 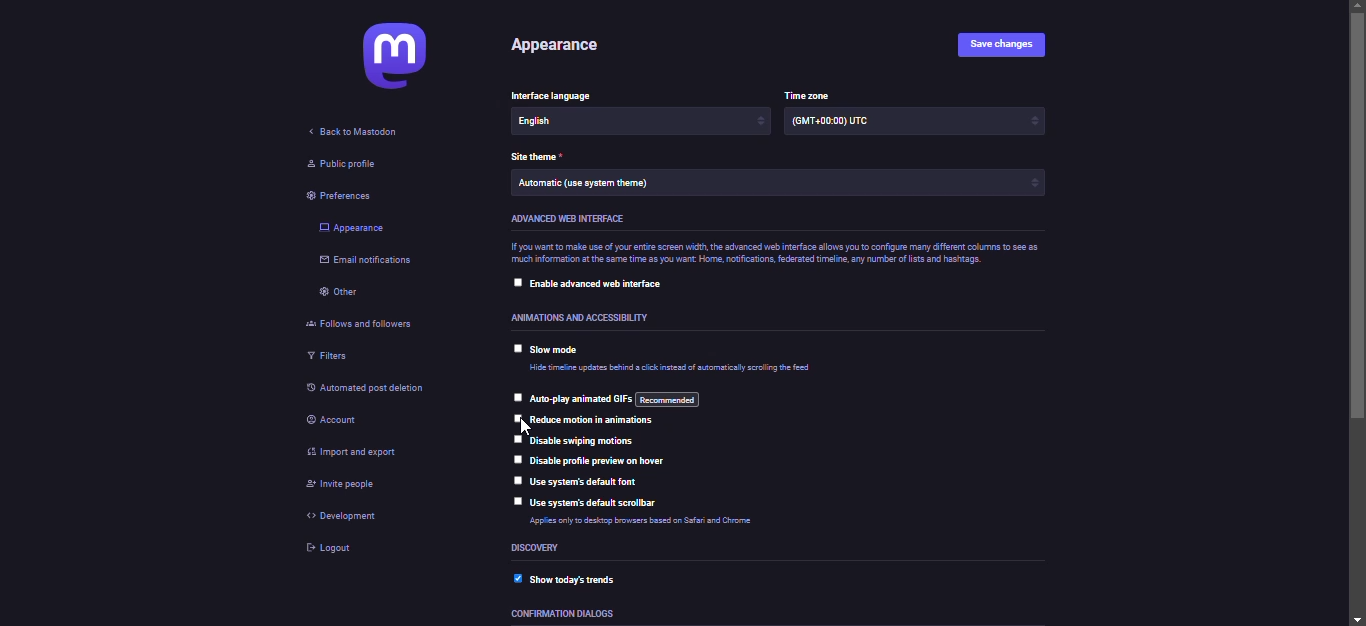 I want to click on public profile, so click(x=344, y=165).